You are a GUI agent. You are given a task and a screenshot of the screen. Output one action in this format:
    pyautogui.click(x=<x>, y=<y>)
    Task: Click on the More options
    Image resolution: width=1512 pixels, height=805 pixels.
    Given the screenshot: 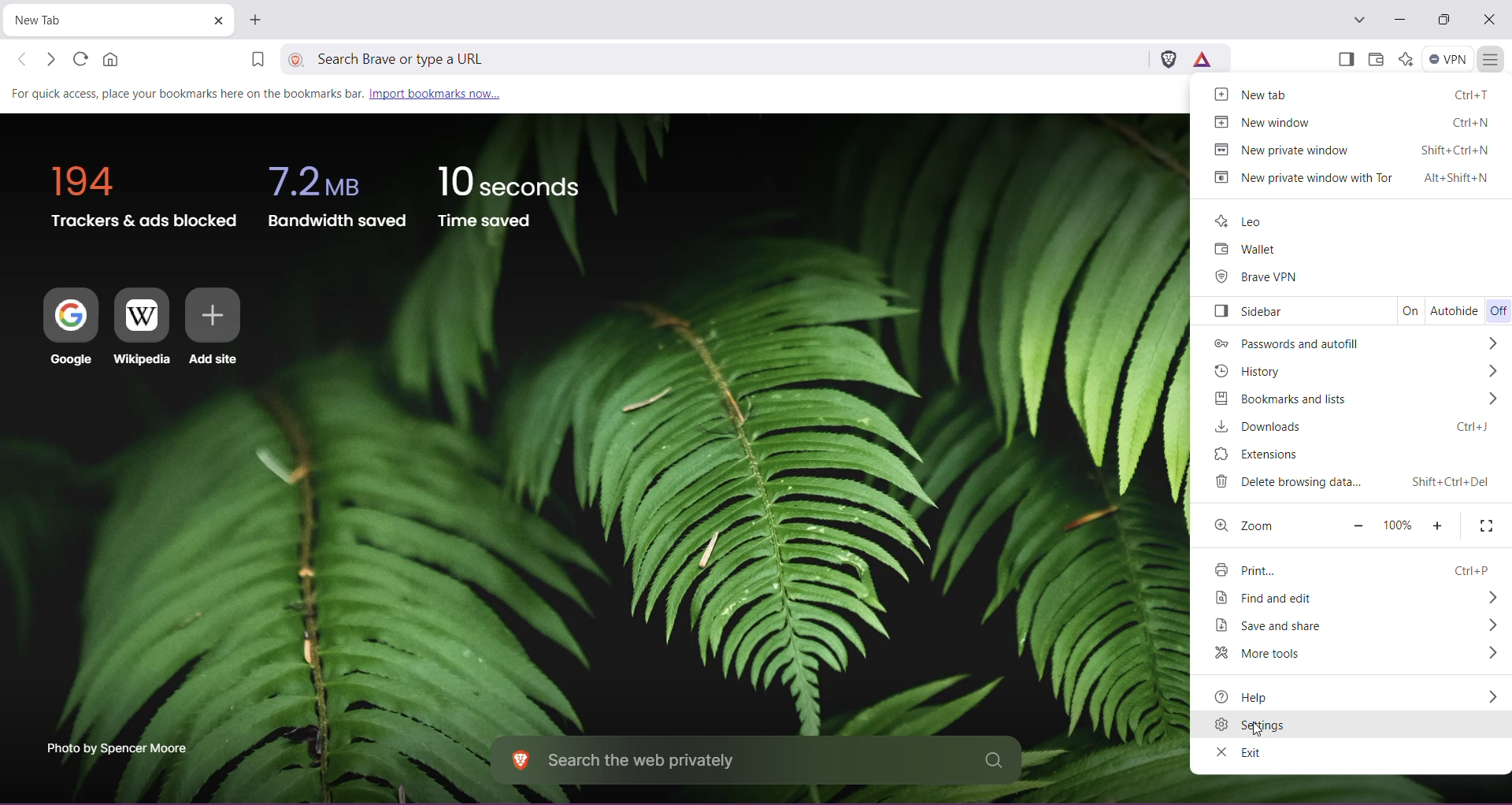 What is the action you would take?
    pyautogui.click(x=1496, y=343)
    